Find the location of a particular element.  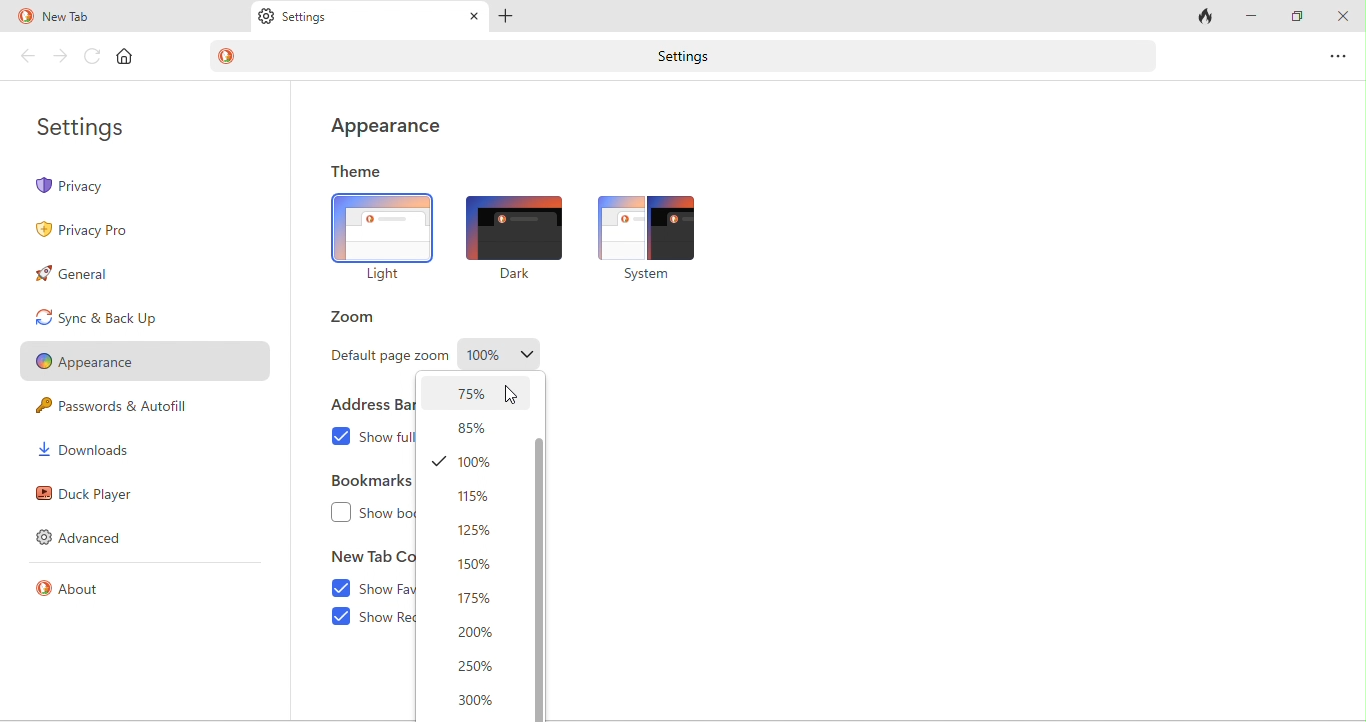

light is located at coordinates (382, 227).